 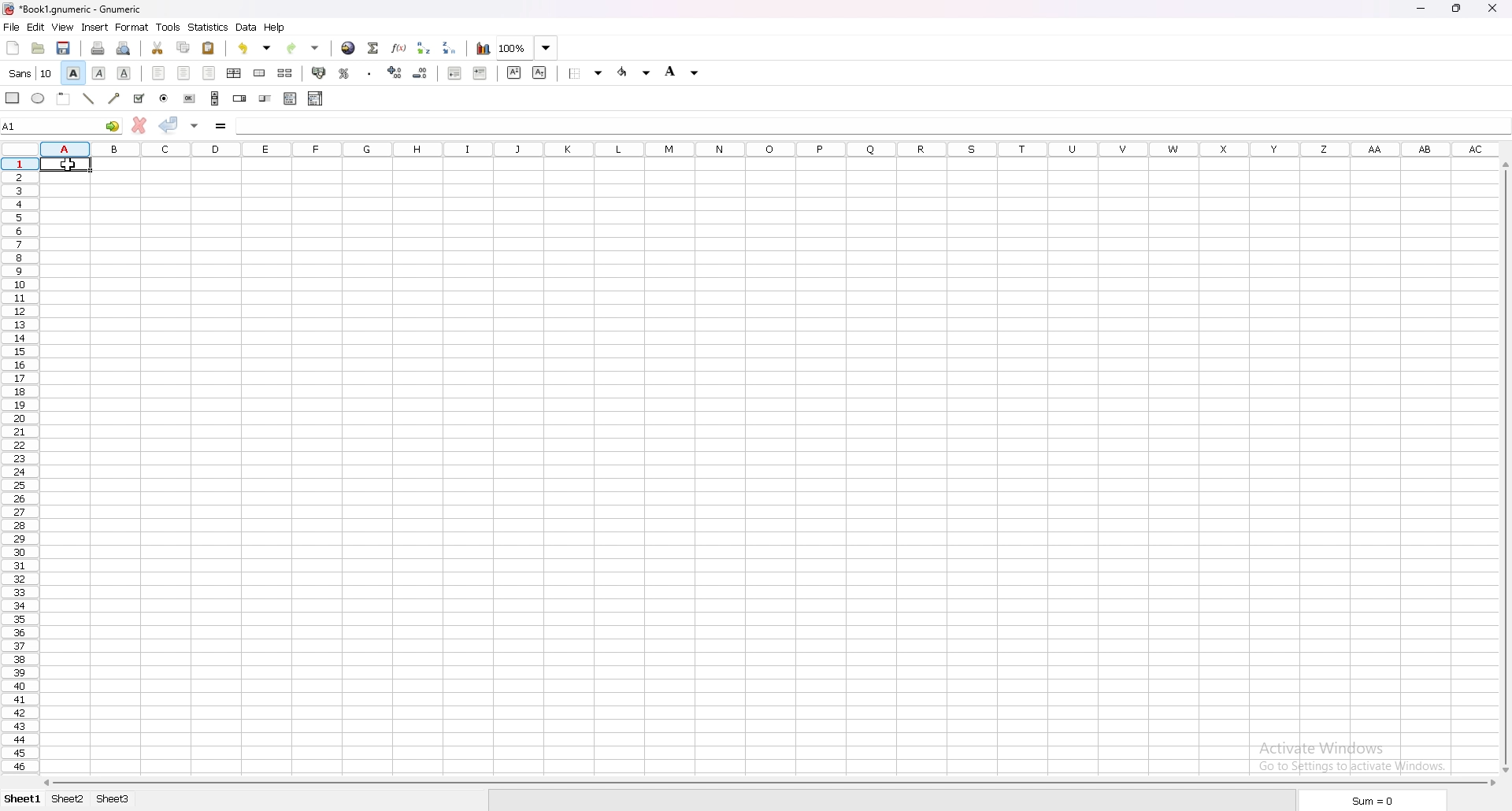 What do you see at coordinates (209, 73) in the screenshot?
I see `align right` at bounding box center [209, 73].